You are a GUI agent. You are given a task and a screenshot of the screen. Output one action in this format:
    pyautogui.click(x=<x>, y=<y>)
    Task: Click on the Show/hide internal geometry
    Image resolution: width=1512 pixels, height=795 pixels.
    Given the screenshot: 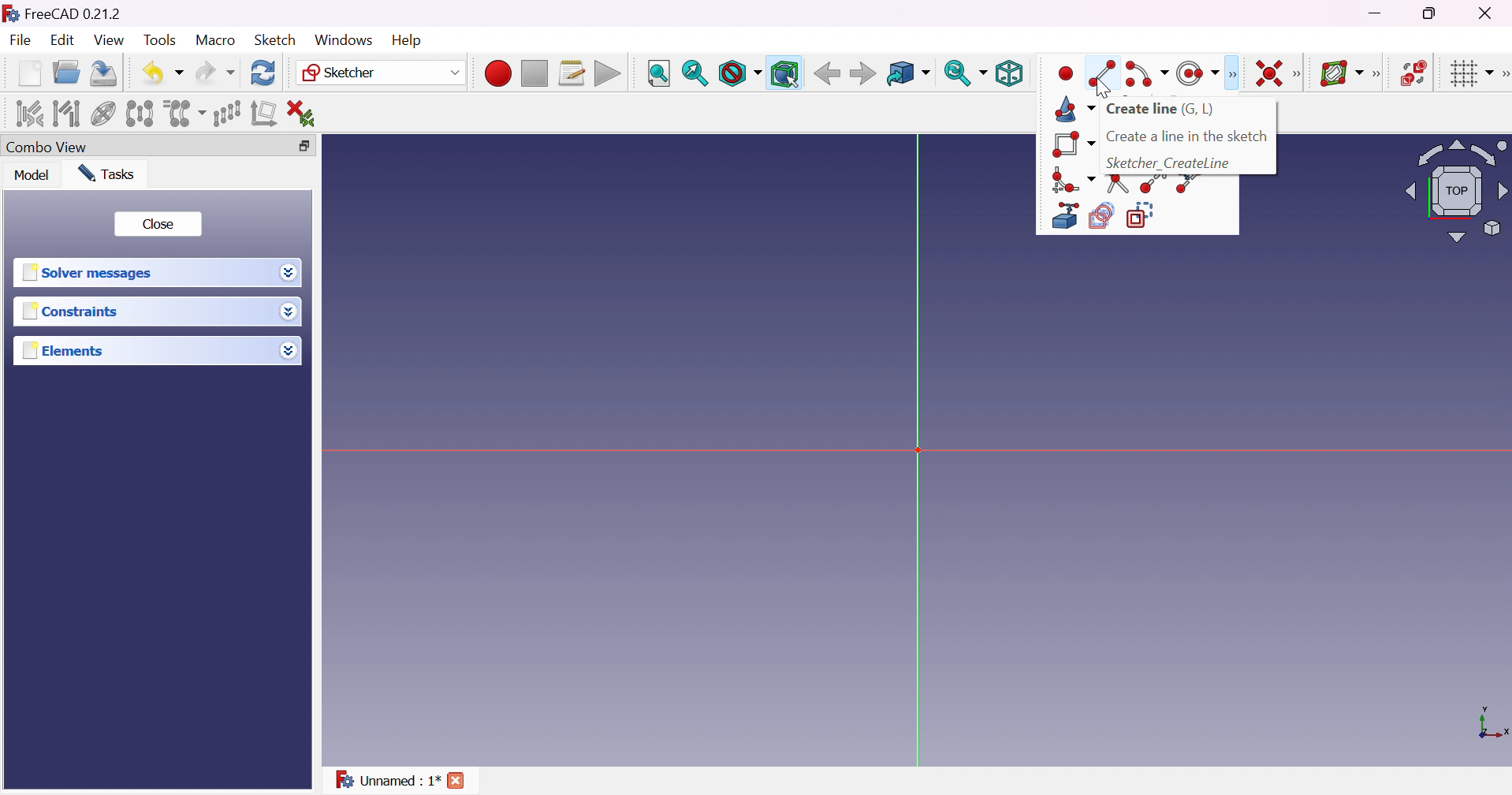 What is the action you would take?
    pyautogui.click(x=102, y=114)
    